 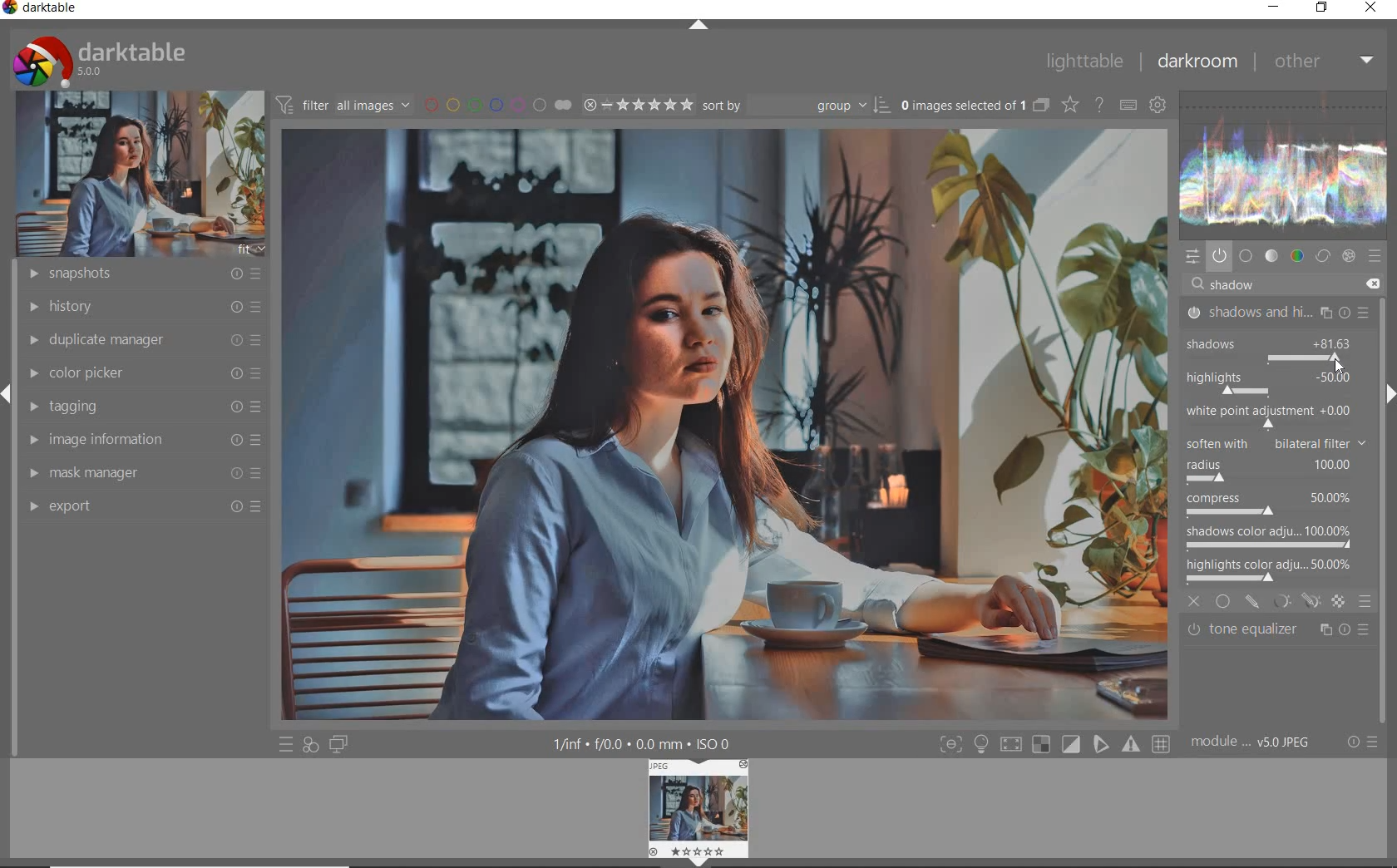 I want to click on selected Image range rating, so click(x=639, y=105).